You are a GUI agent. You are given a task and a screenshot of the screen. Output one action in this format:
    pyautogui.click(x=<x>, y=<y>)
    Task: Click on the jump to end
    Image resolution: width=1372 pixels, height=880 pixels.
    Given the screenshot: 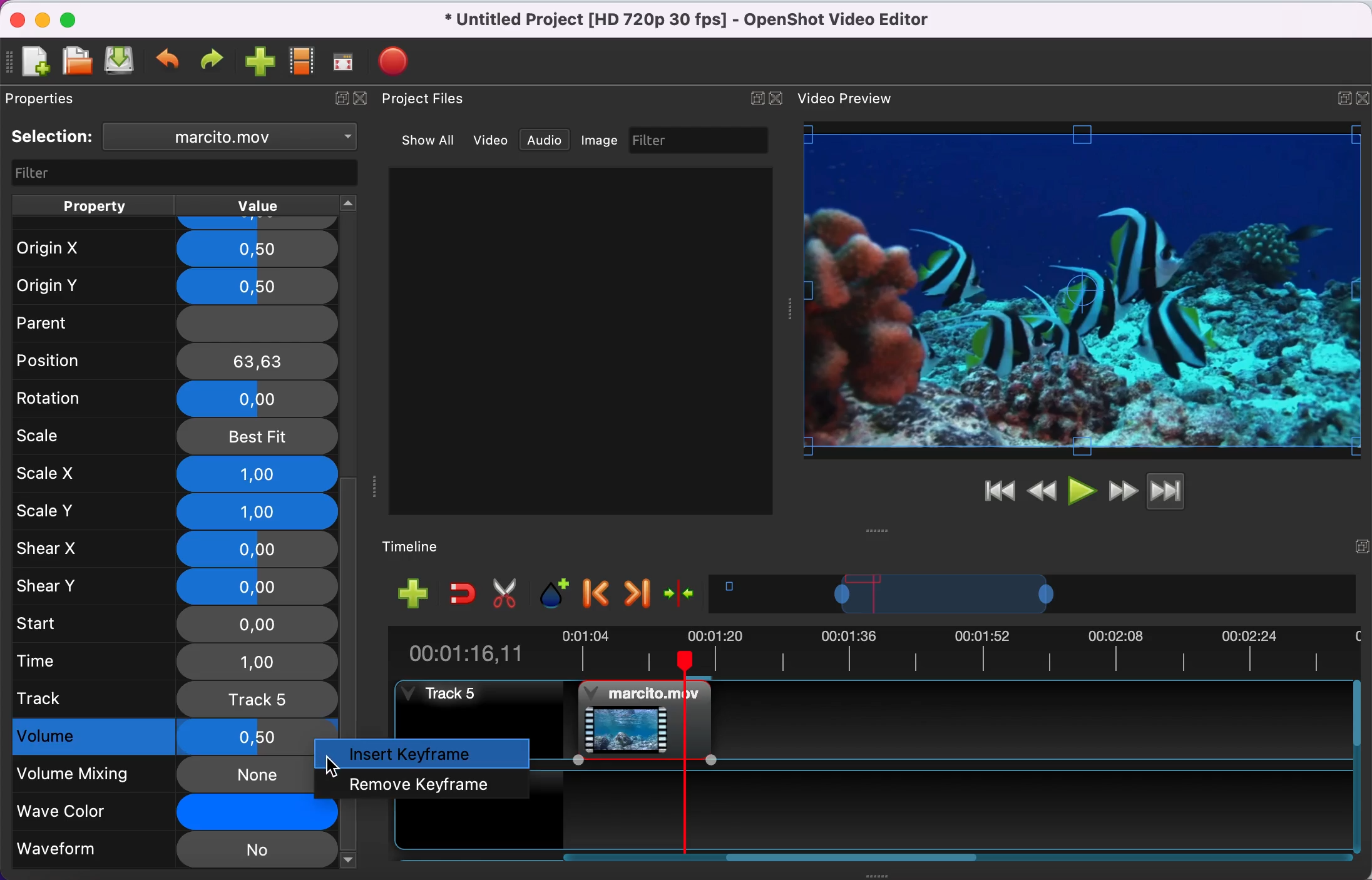 What is the action you would take?
    pyautogui.click(x=1185, y=493)
    